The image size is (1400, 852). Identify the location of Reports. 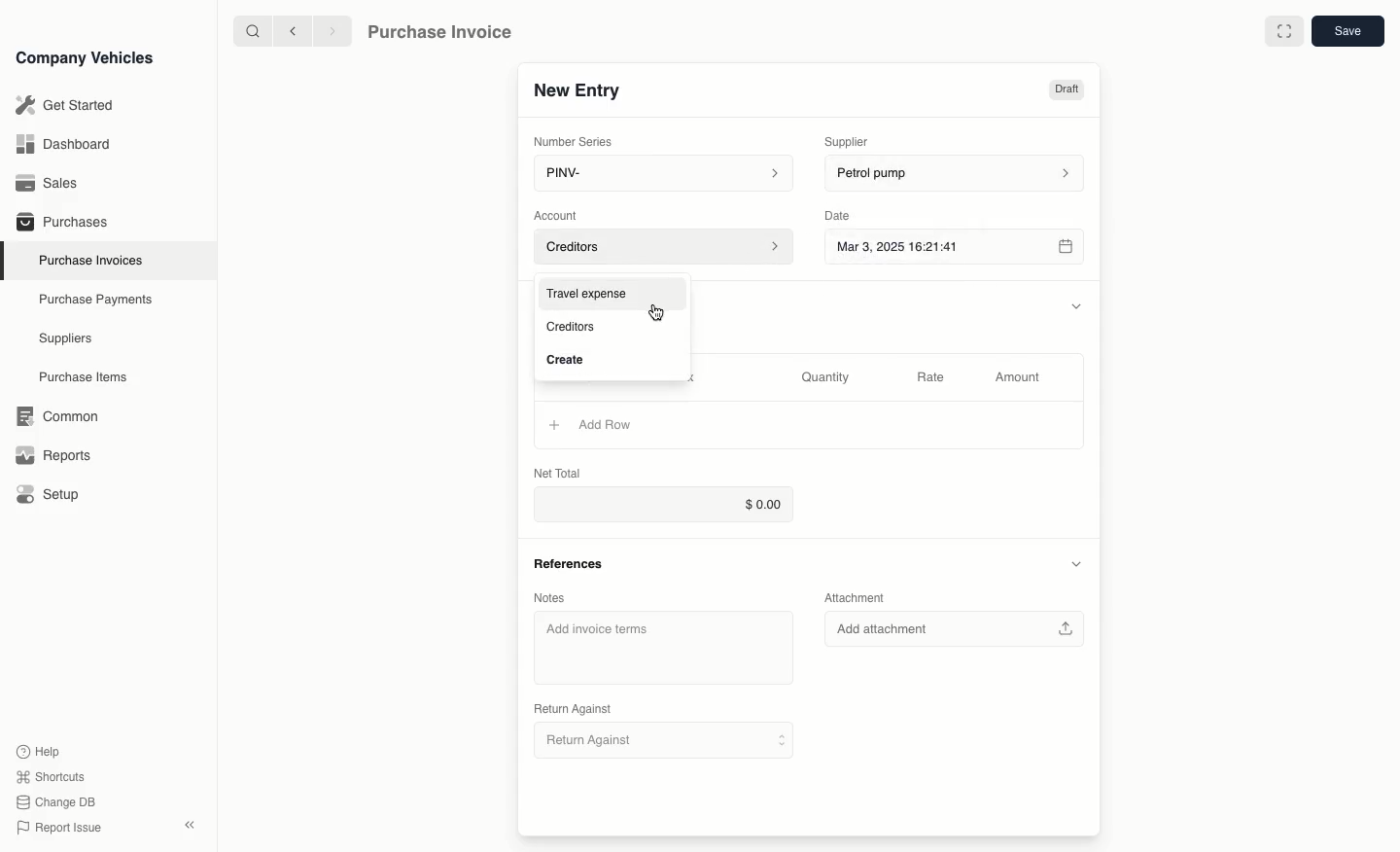
(53, 455).